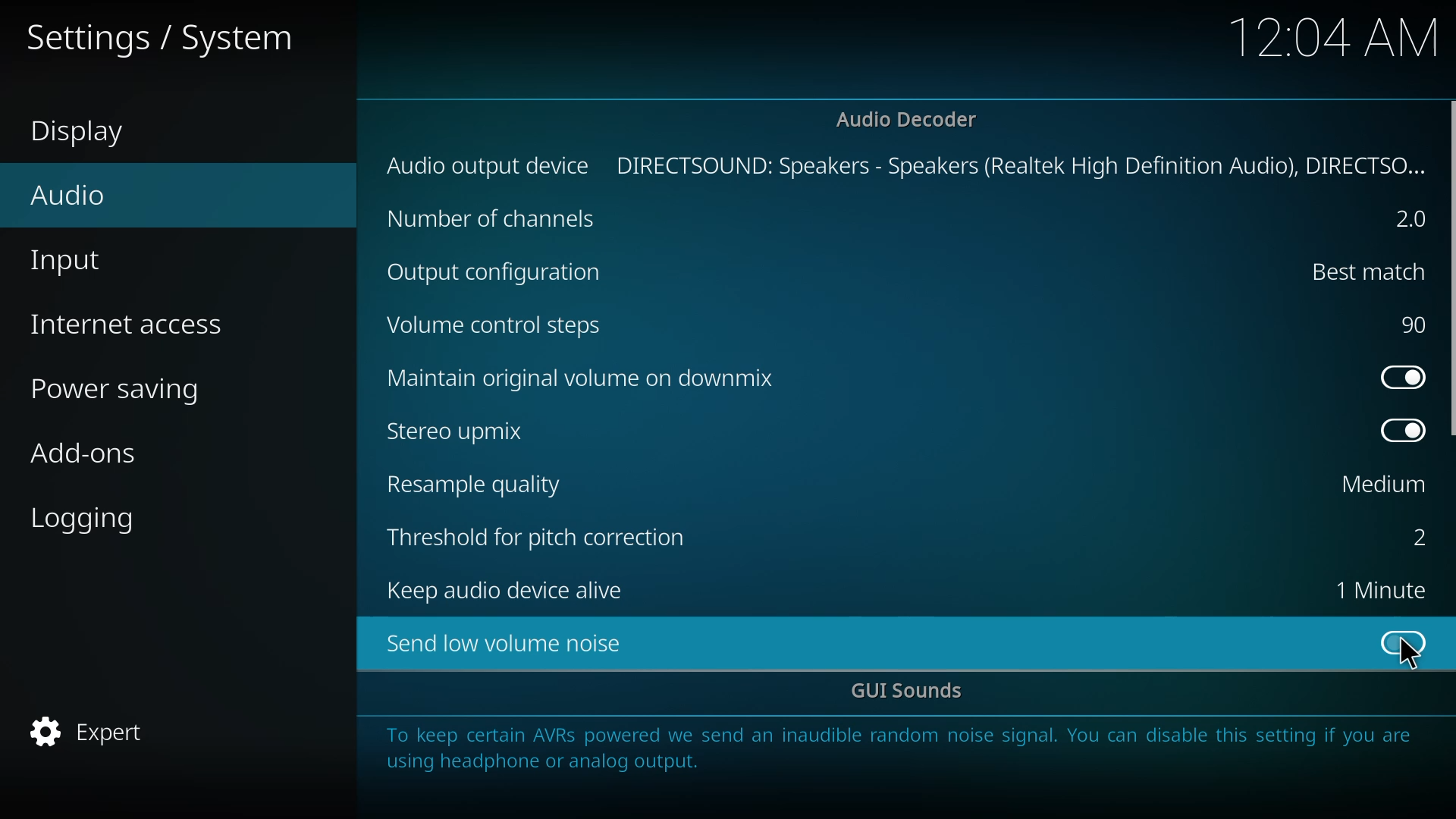 The image size is (1456, 819). I want to click on settings system, so click(165, 37).